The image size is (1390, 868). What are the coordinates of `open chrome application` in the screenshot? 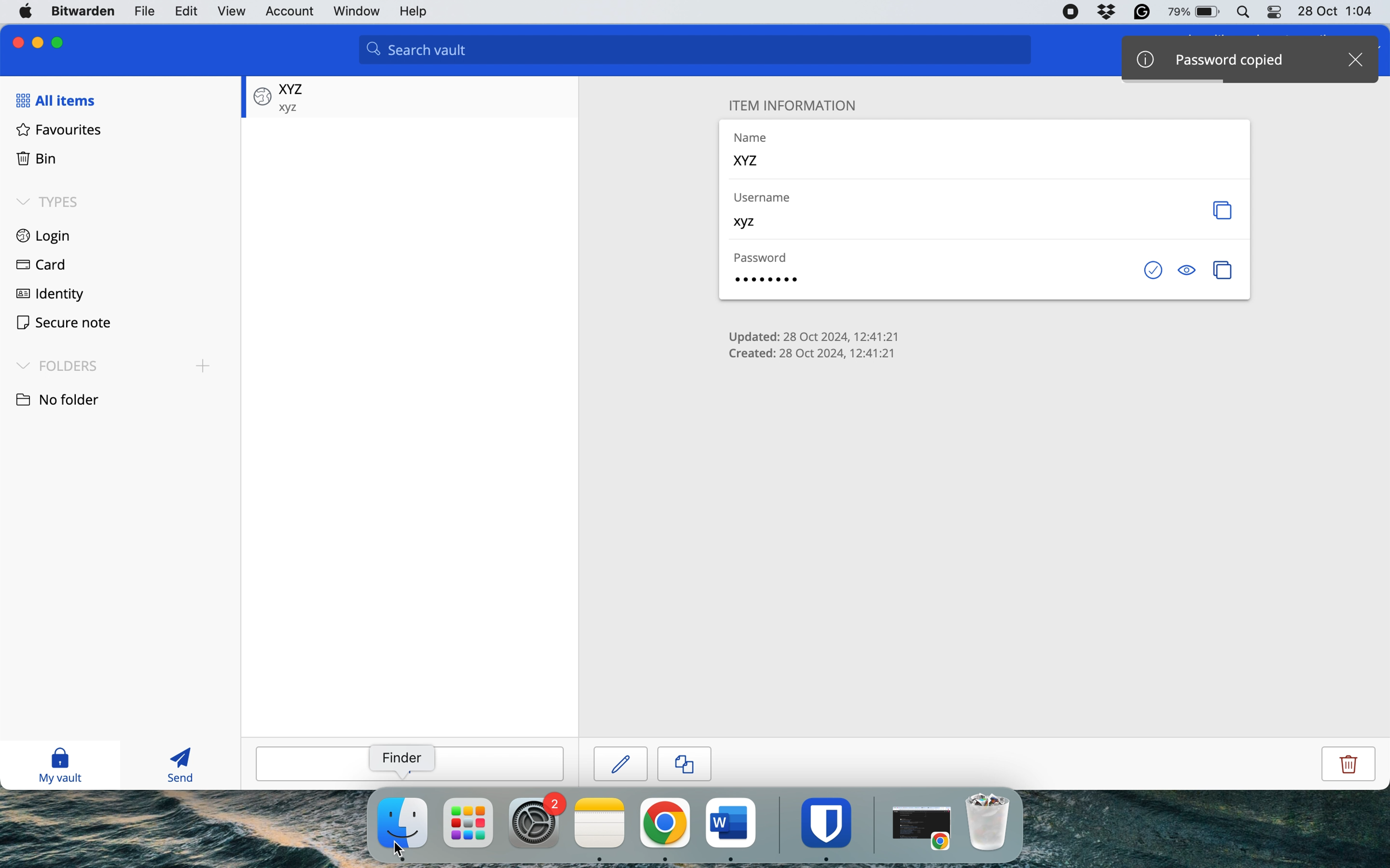 It's located at (925, 828).